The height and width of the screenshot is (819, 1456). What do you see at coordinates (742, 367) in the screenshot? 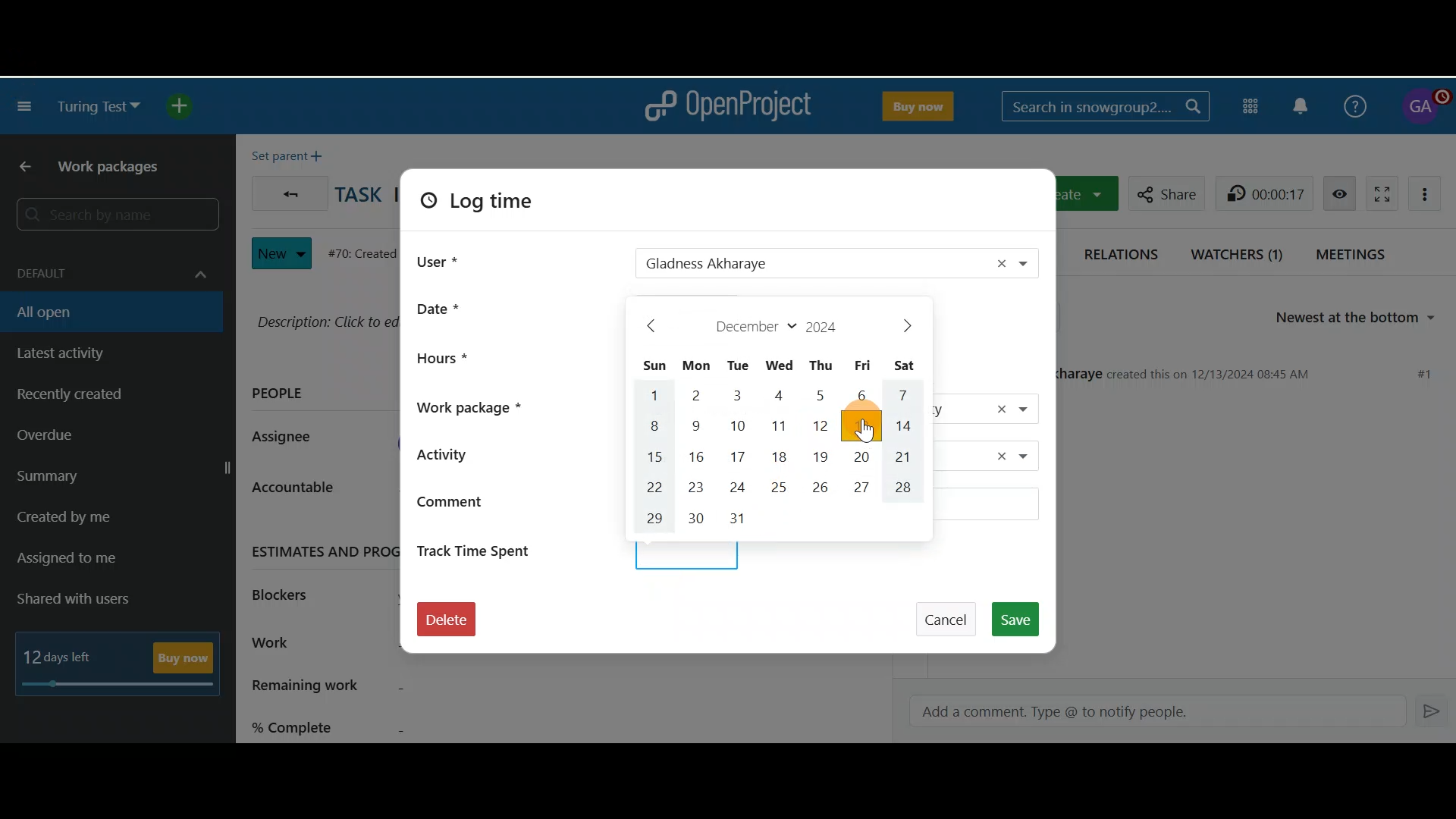
I see `Tue` at bounding box center [742, 367].